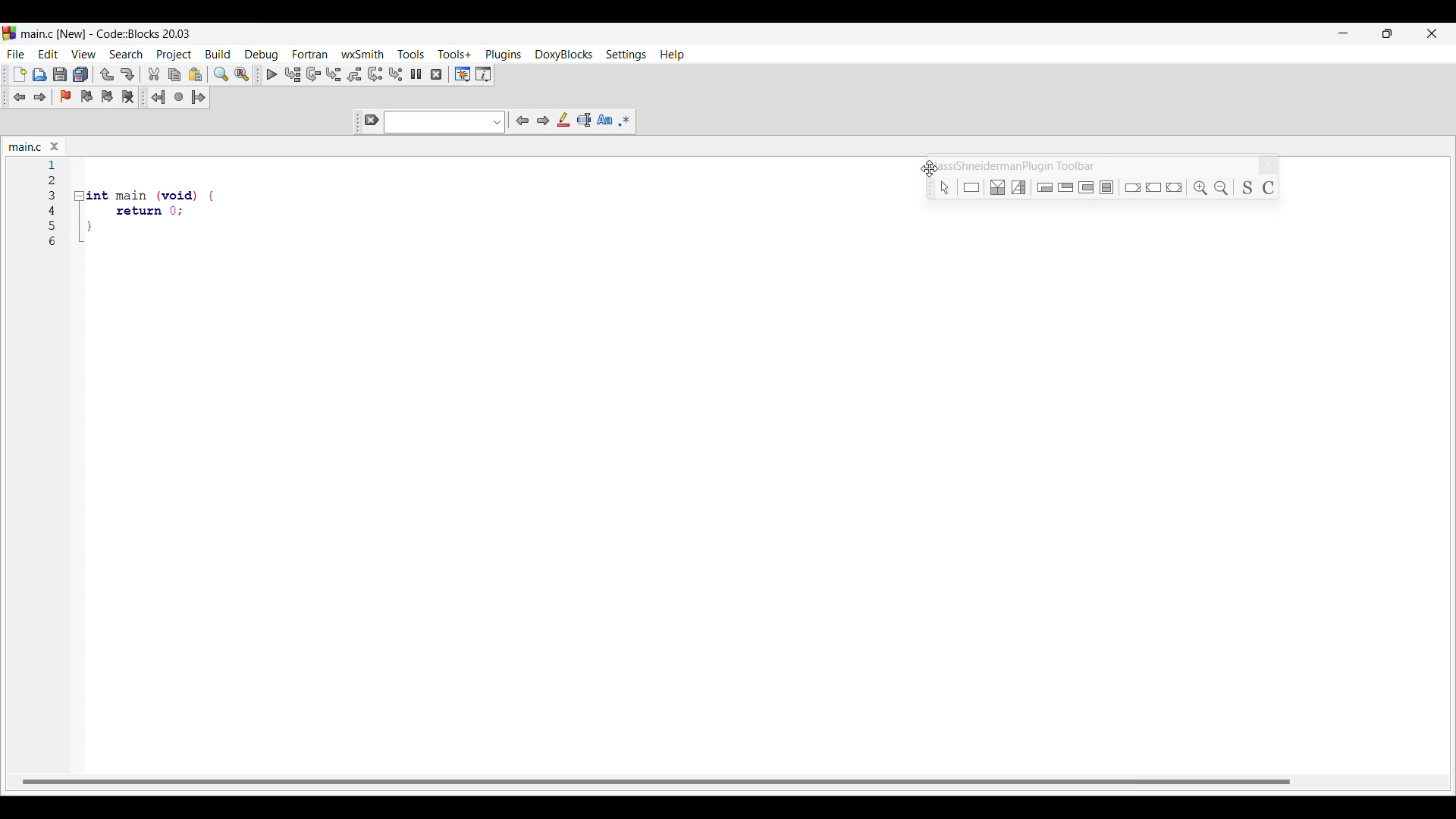  What do you see at coordinates (463, 74) in the screenshot?
I see `Debugging windows` at bounding box center [463, 74].